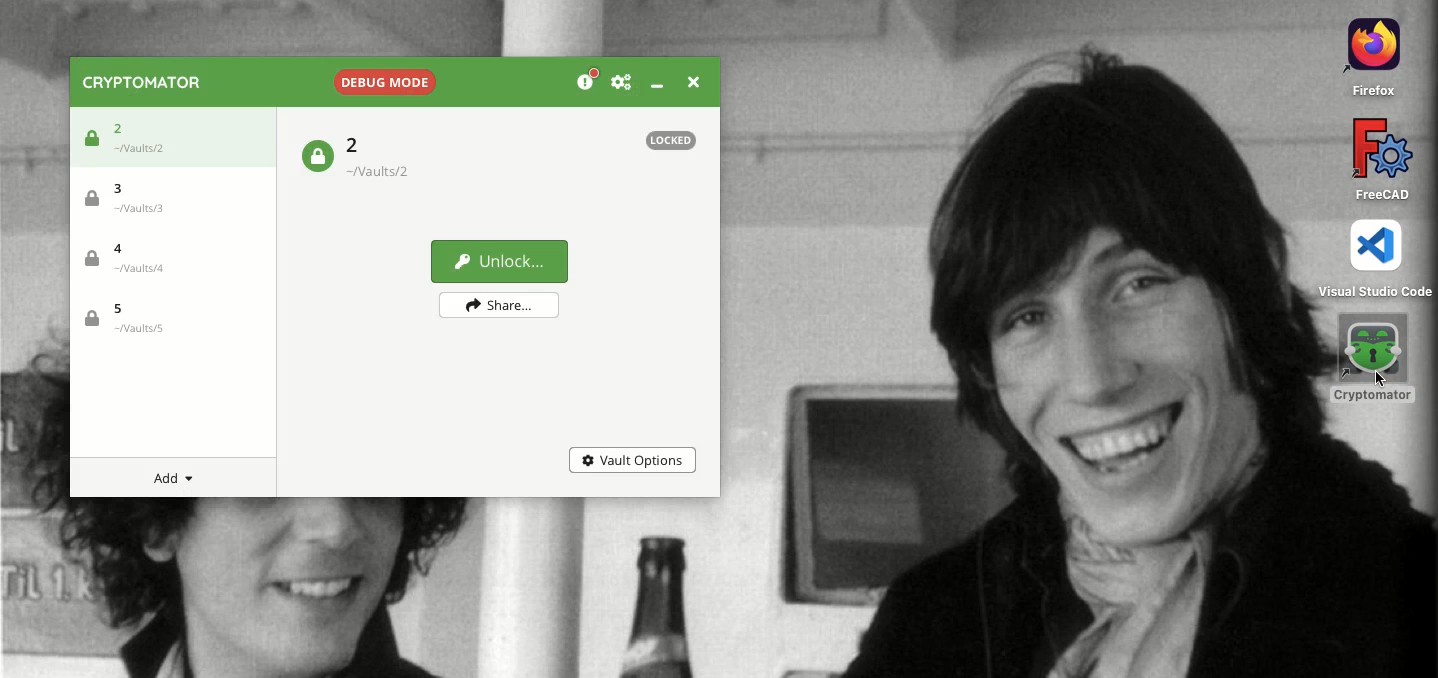 This screenshot has width=1438, height=678. Describe the element at coordinates (1372, 261) in the screenshot. I see `Visual Studio Code` at that location.